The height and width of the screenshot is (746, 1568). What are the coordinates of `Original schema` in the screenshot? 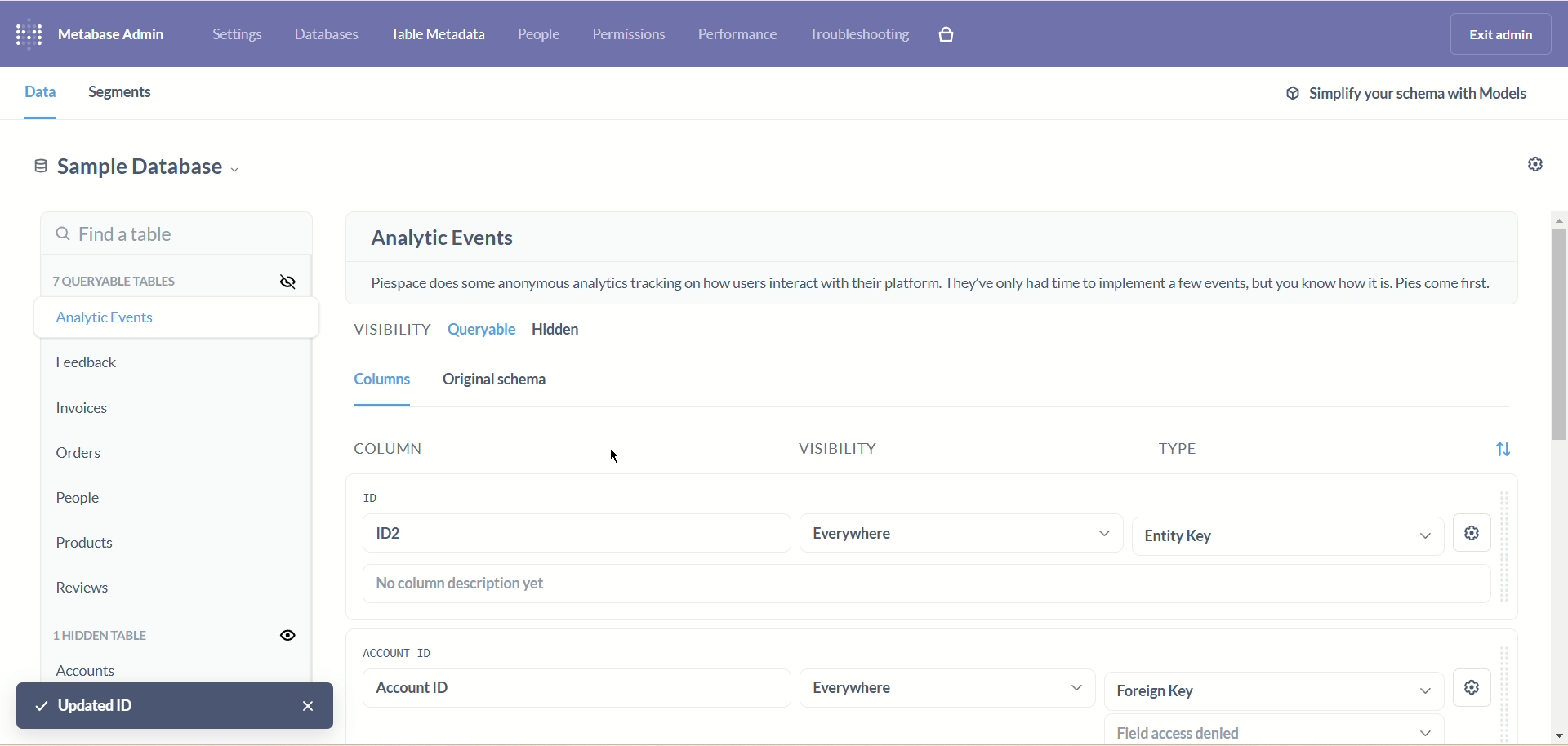 It's located at (533, 380).